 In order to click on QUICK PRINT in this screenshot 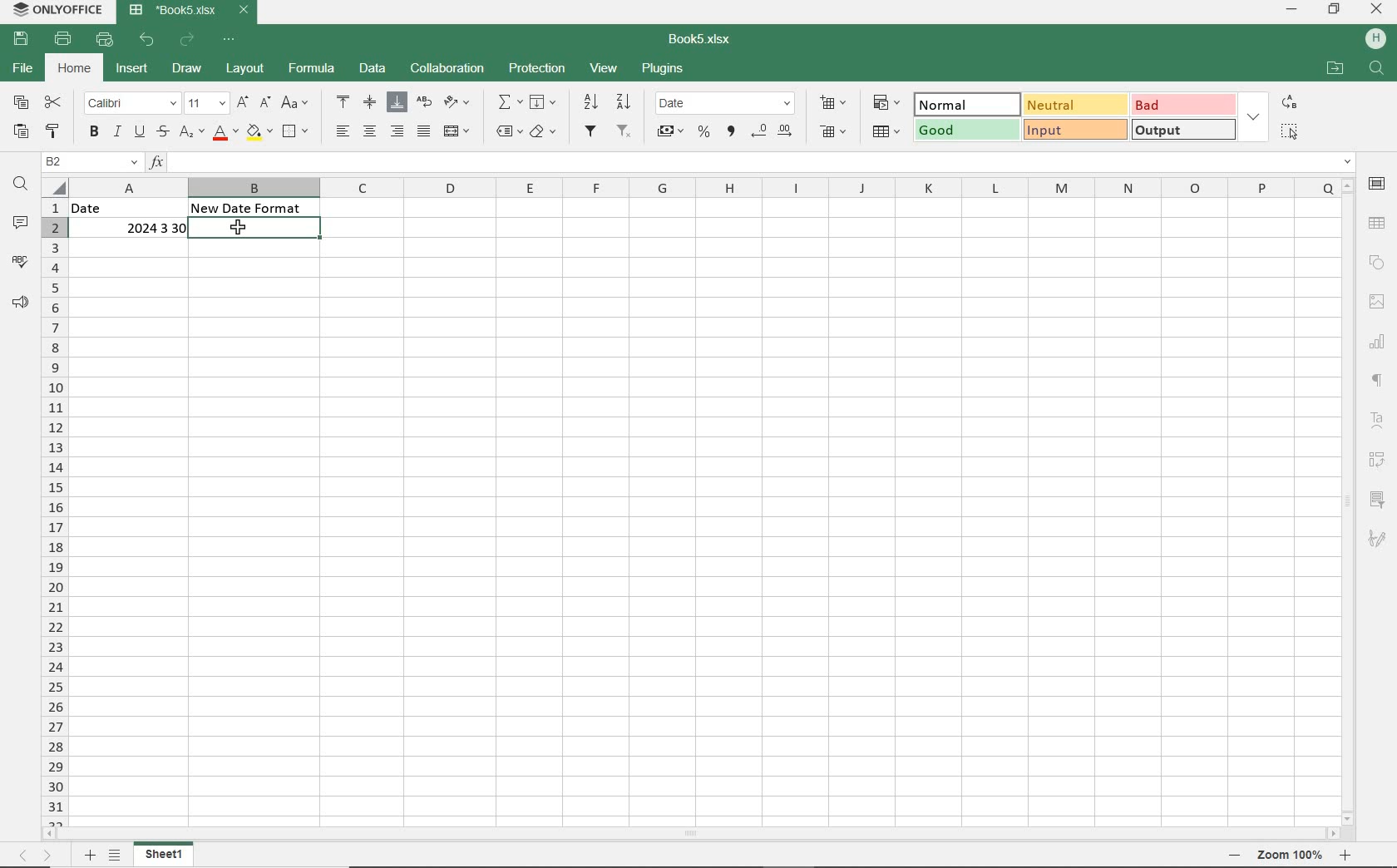, I will do `click(106, 39)`.